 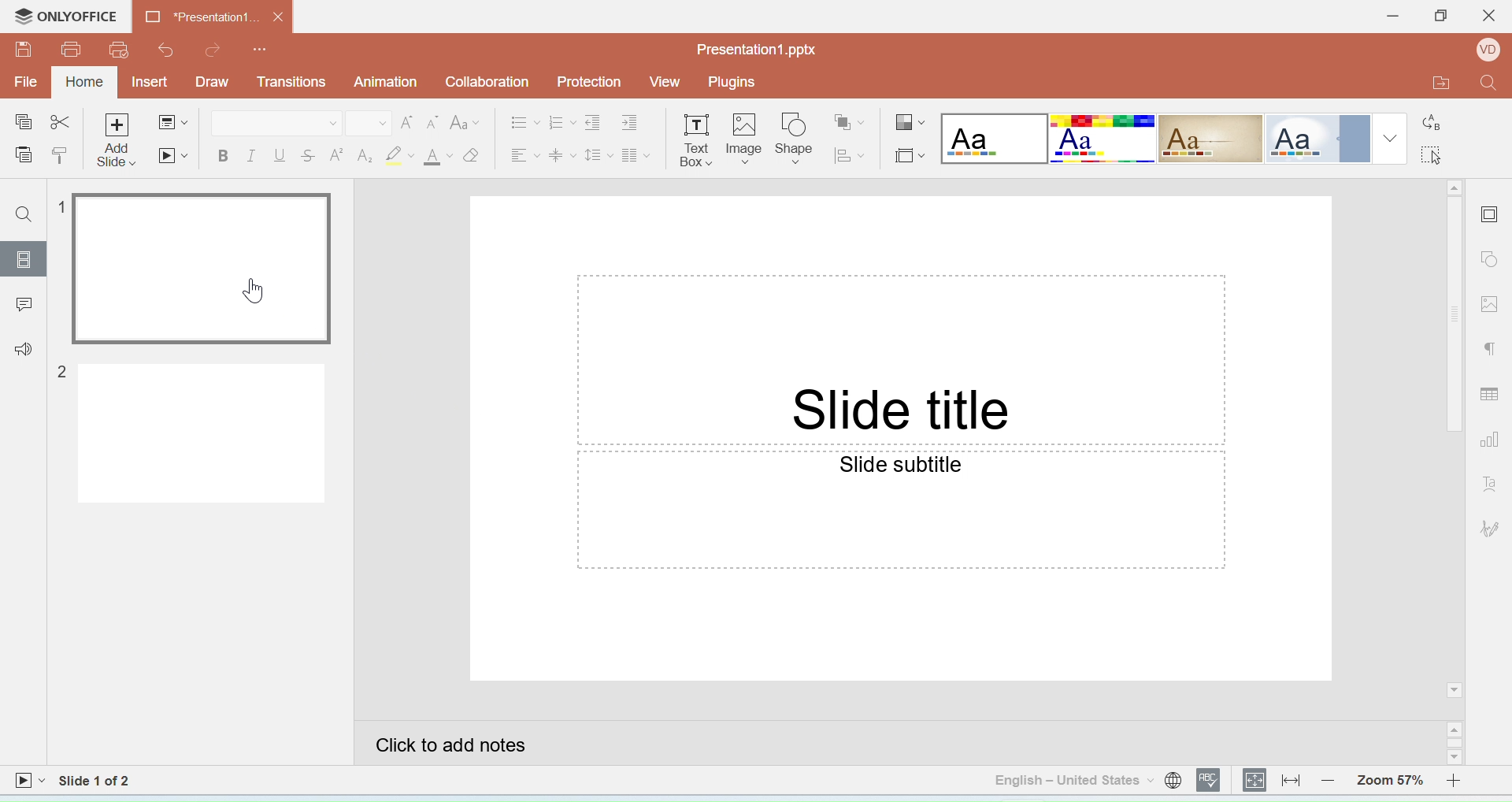 What do you see at coordinates (596, 121) in the screenshot?
I see `Decrease indent` at bounding box center [596, 121].